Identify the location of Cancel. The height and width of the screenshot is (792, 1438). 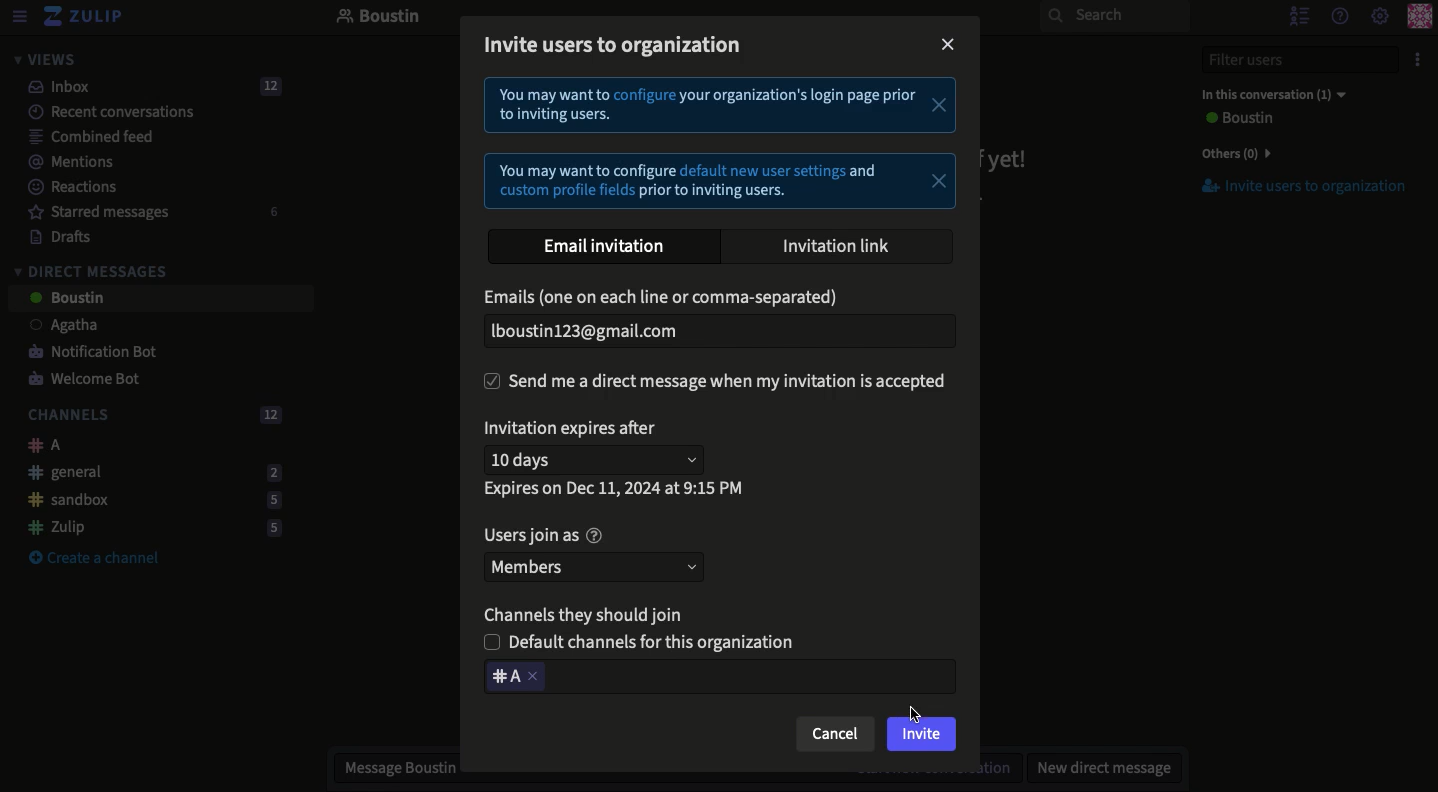
(835, 734).